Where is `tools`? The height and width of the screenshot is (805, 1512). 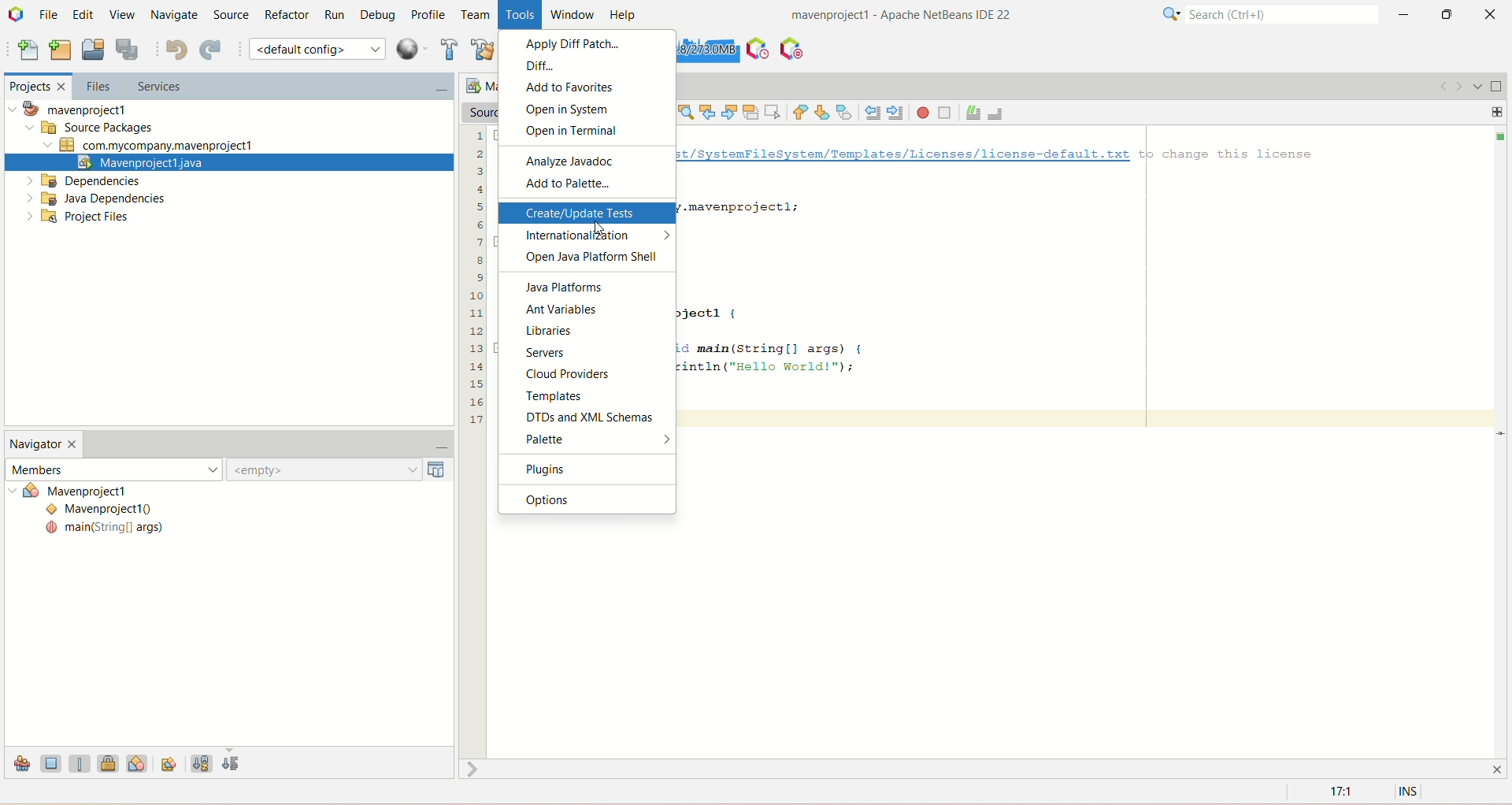 tools is located at coordinates (521, 16).